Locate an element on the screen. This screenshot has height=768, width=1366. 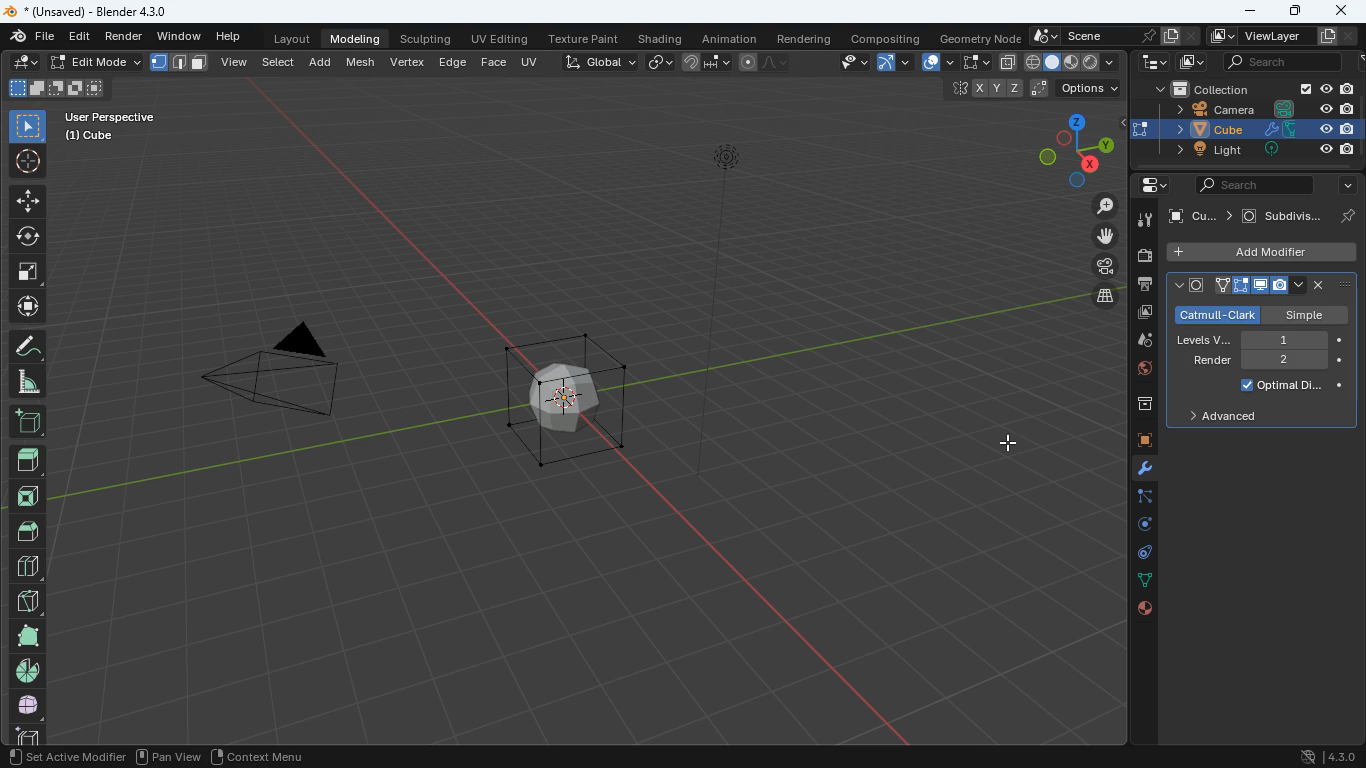
mesh is located at coordinates (361, 62).